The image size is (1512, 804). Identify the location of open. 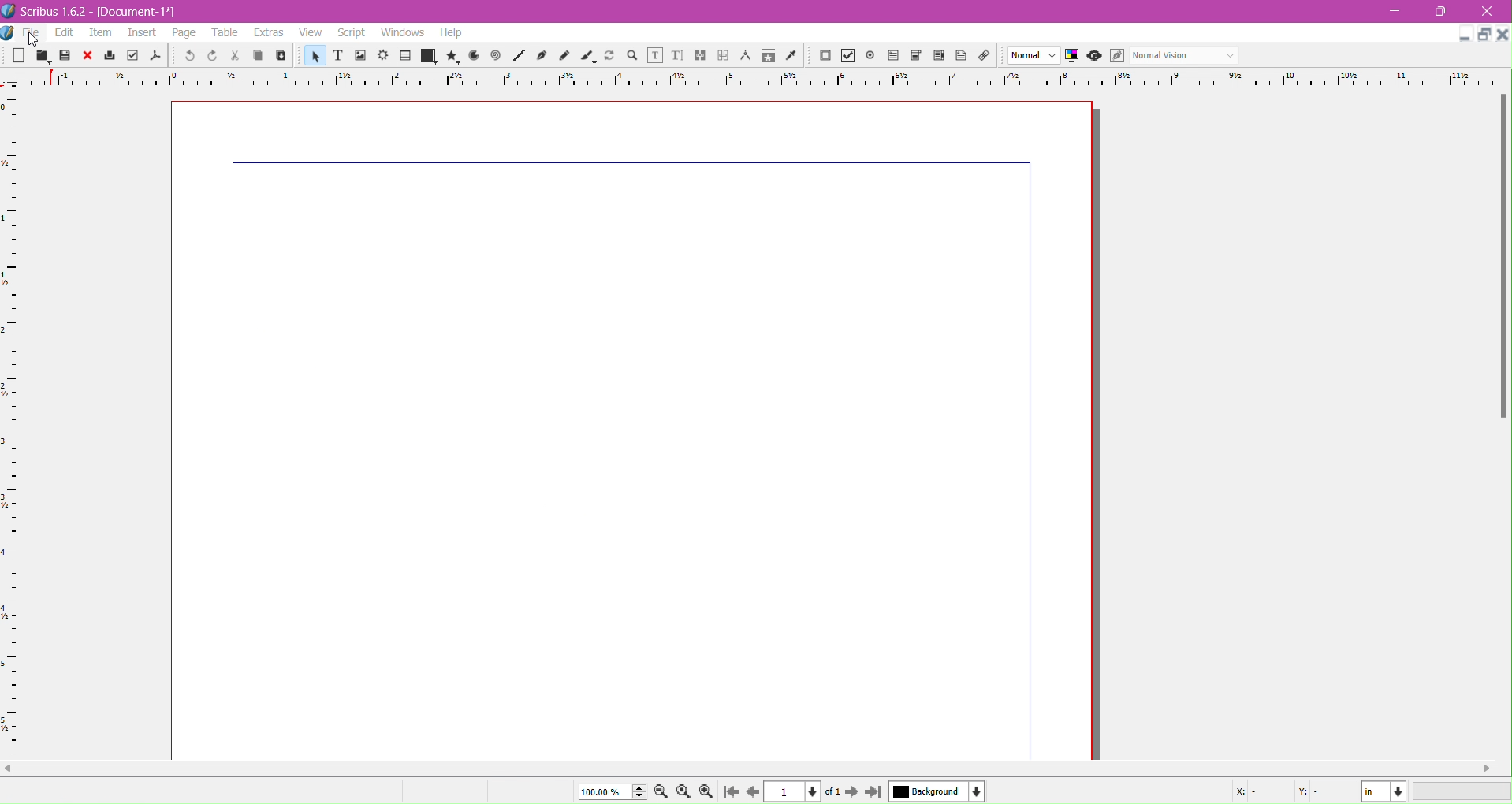
(40, 56).